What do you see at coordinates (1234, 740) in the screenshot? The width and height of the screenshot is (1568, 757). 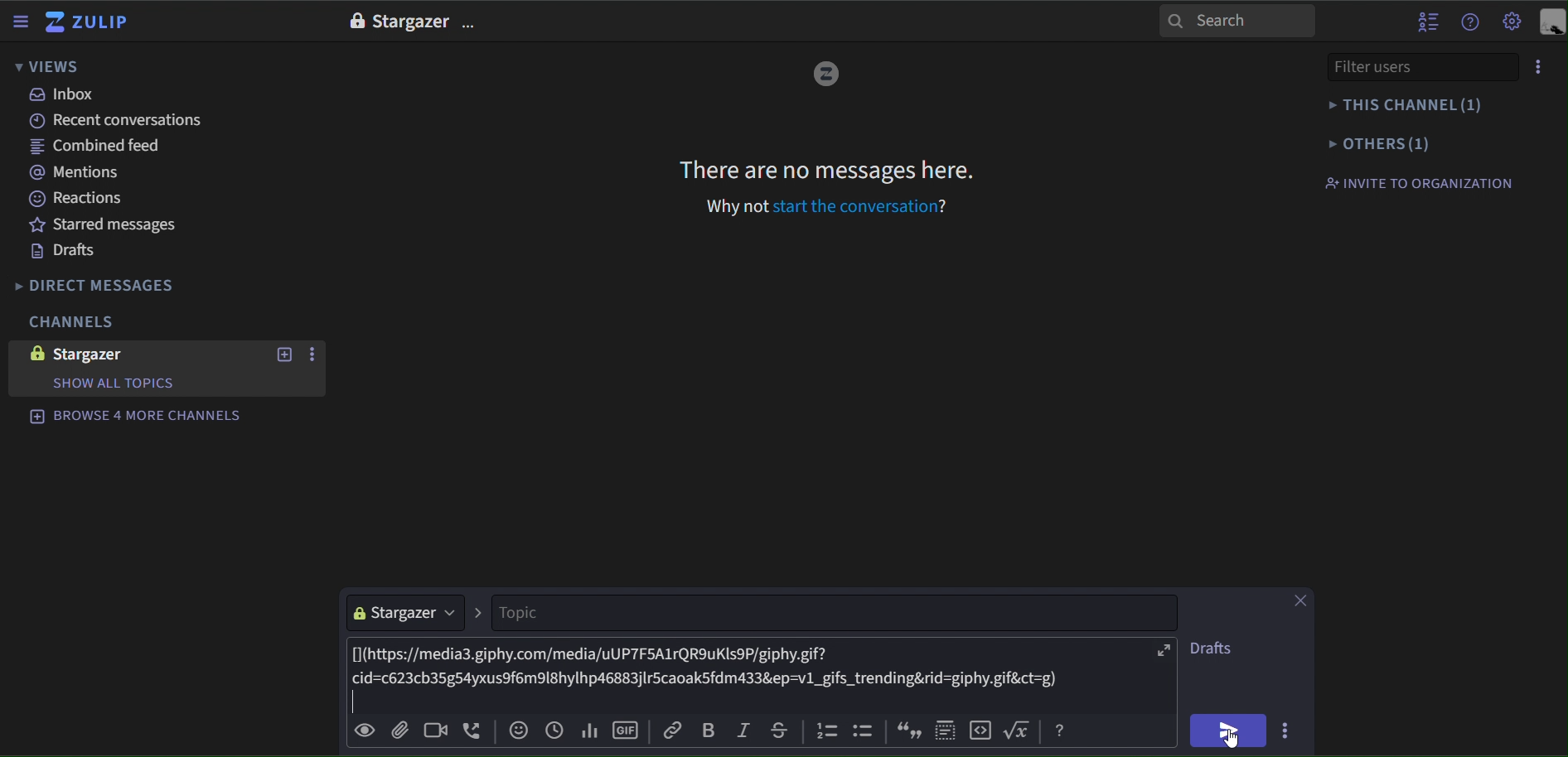 I see `cursor` at bounding box center [1234, 740].